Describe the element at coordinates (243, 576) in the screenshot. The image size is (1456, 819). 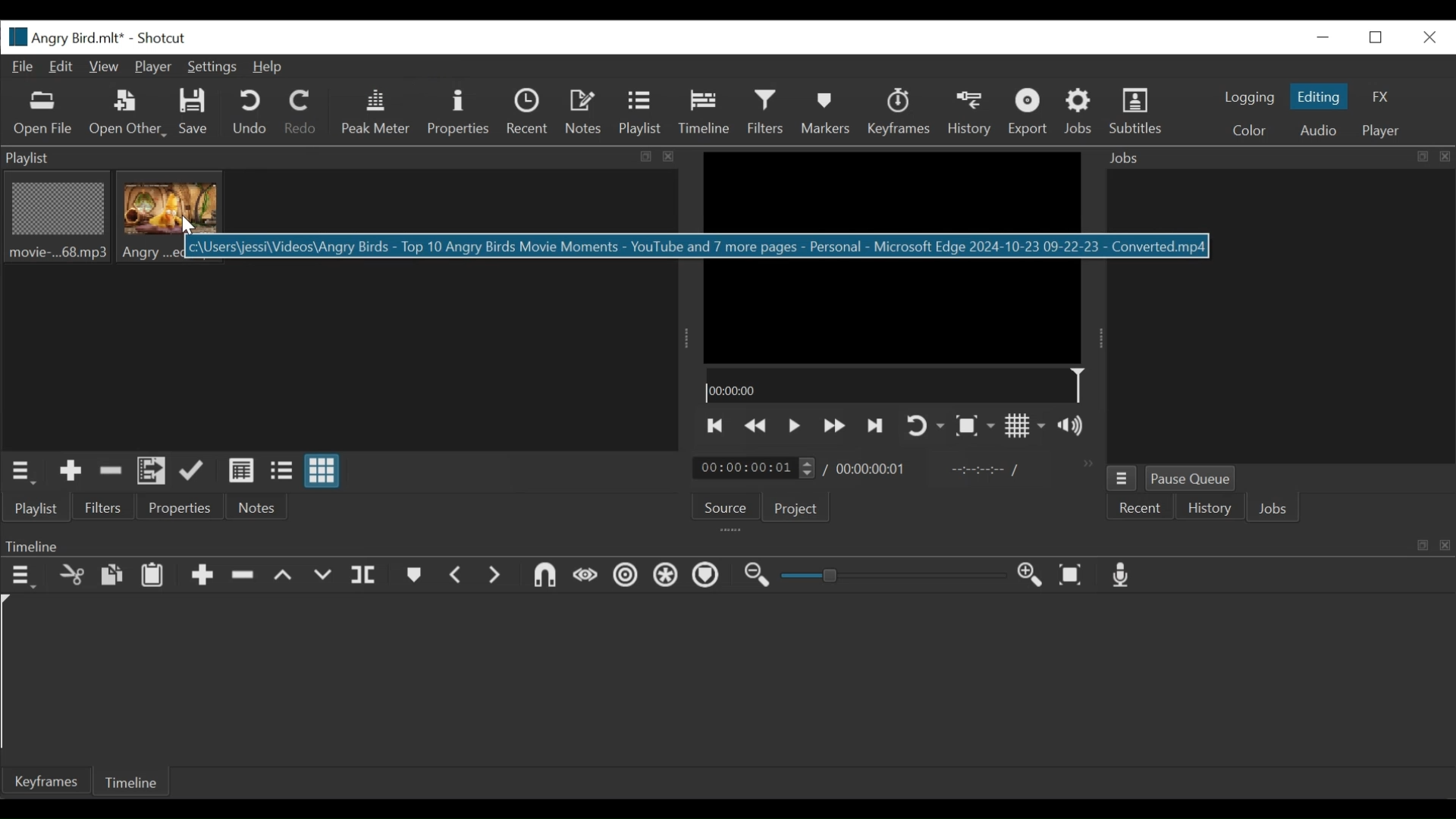
I see `Ripple Delete` at that location.